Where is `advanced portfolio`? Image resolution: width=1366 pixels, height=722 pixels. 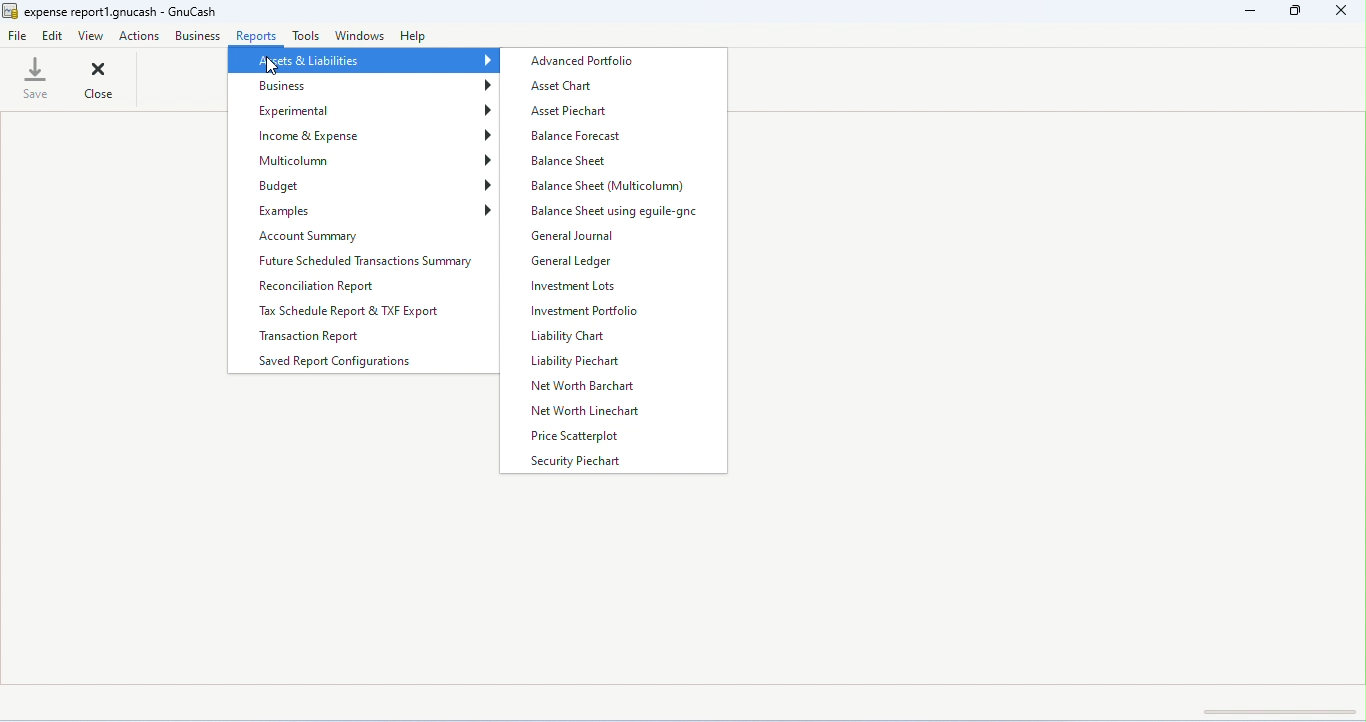 advanced portfolio is located at coordinates (589, 62).